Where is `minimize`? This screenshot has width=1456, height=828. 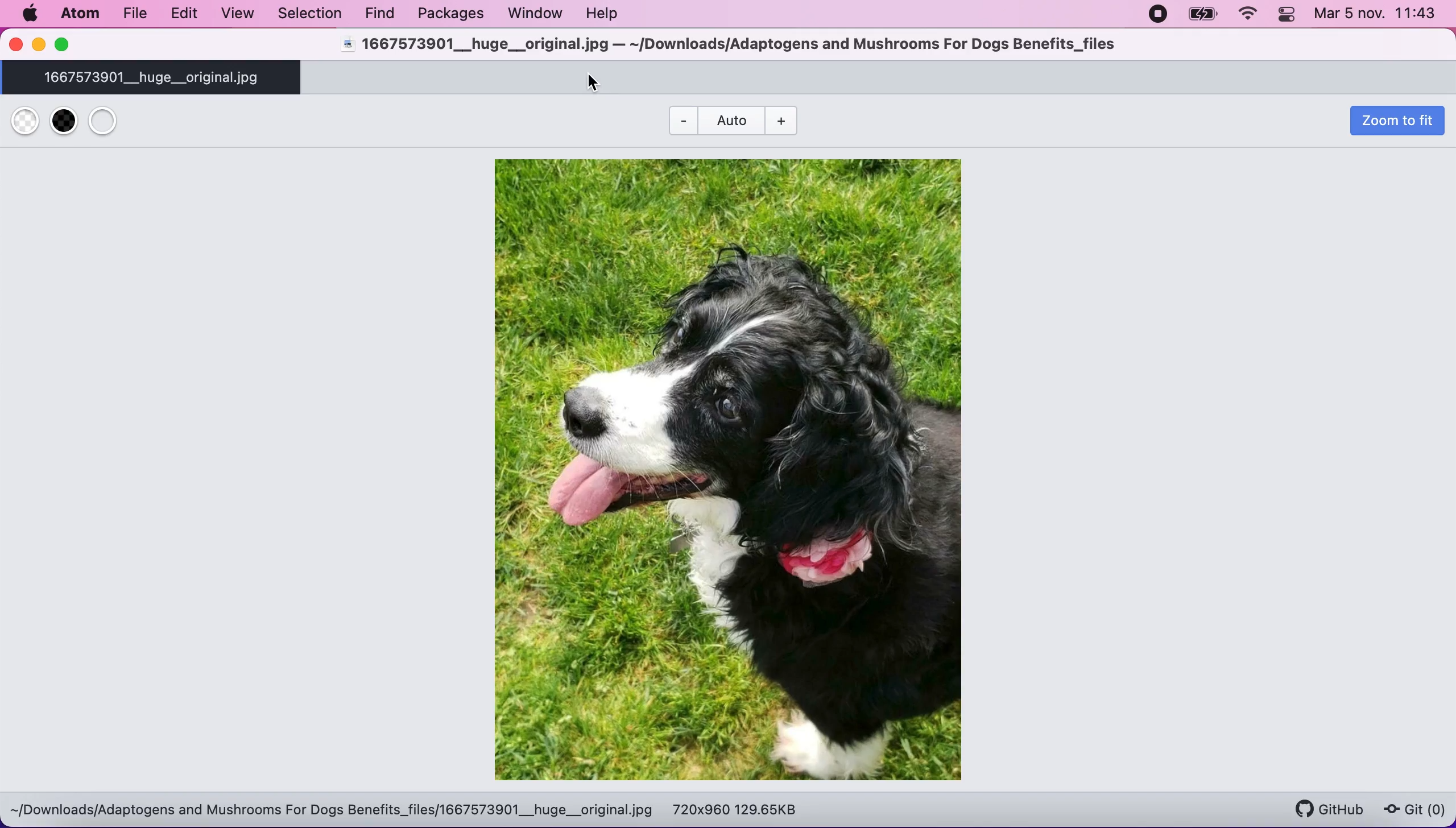 minimize is located at coordinates (38, 45).